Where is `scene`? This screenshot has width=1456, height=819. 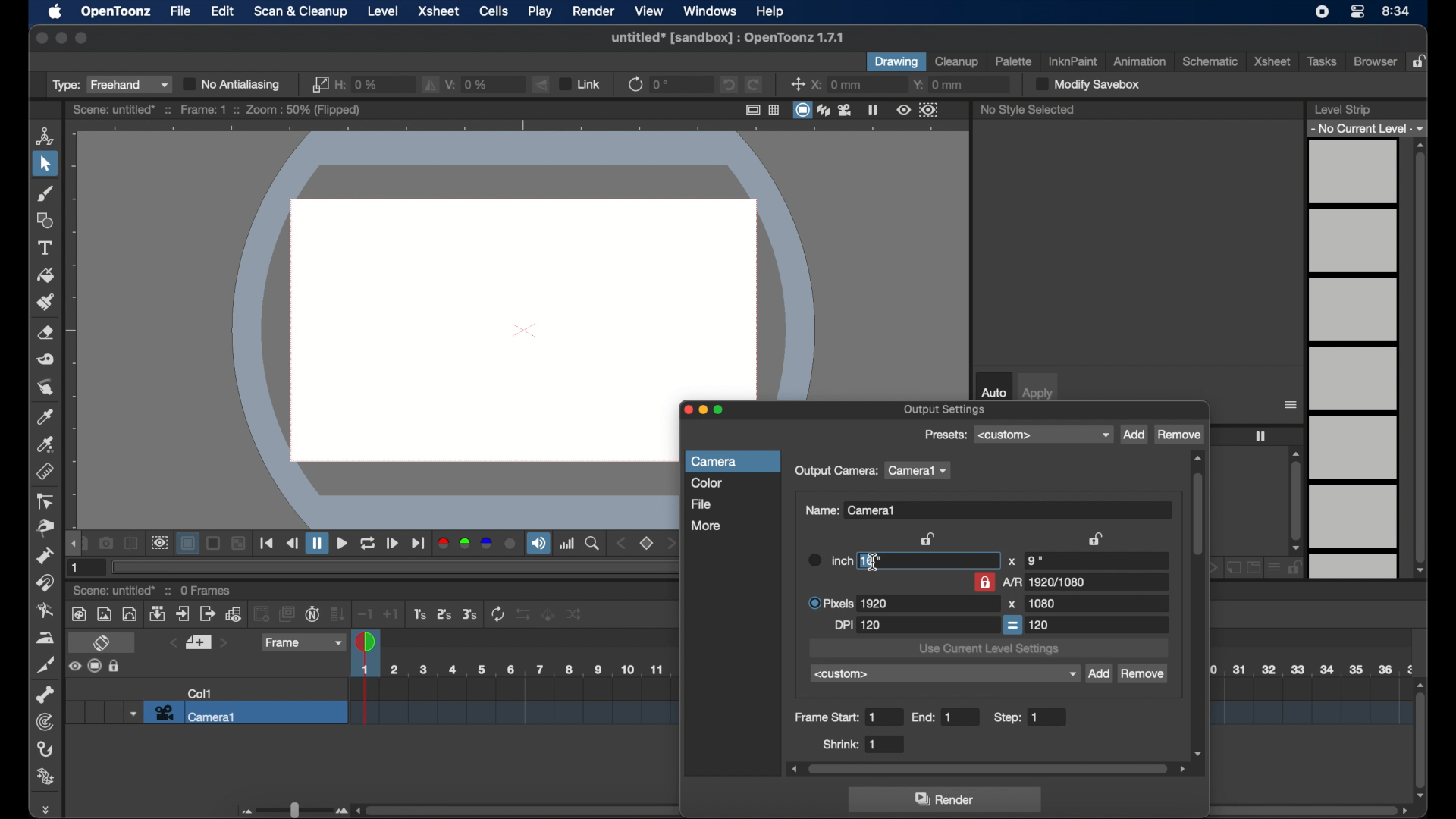
scene is located at coordinates (217, 110).